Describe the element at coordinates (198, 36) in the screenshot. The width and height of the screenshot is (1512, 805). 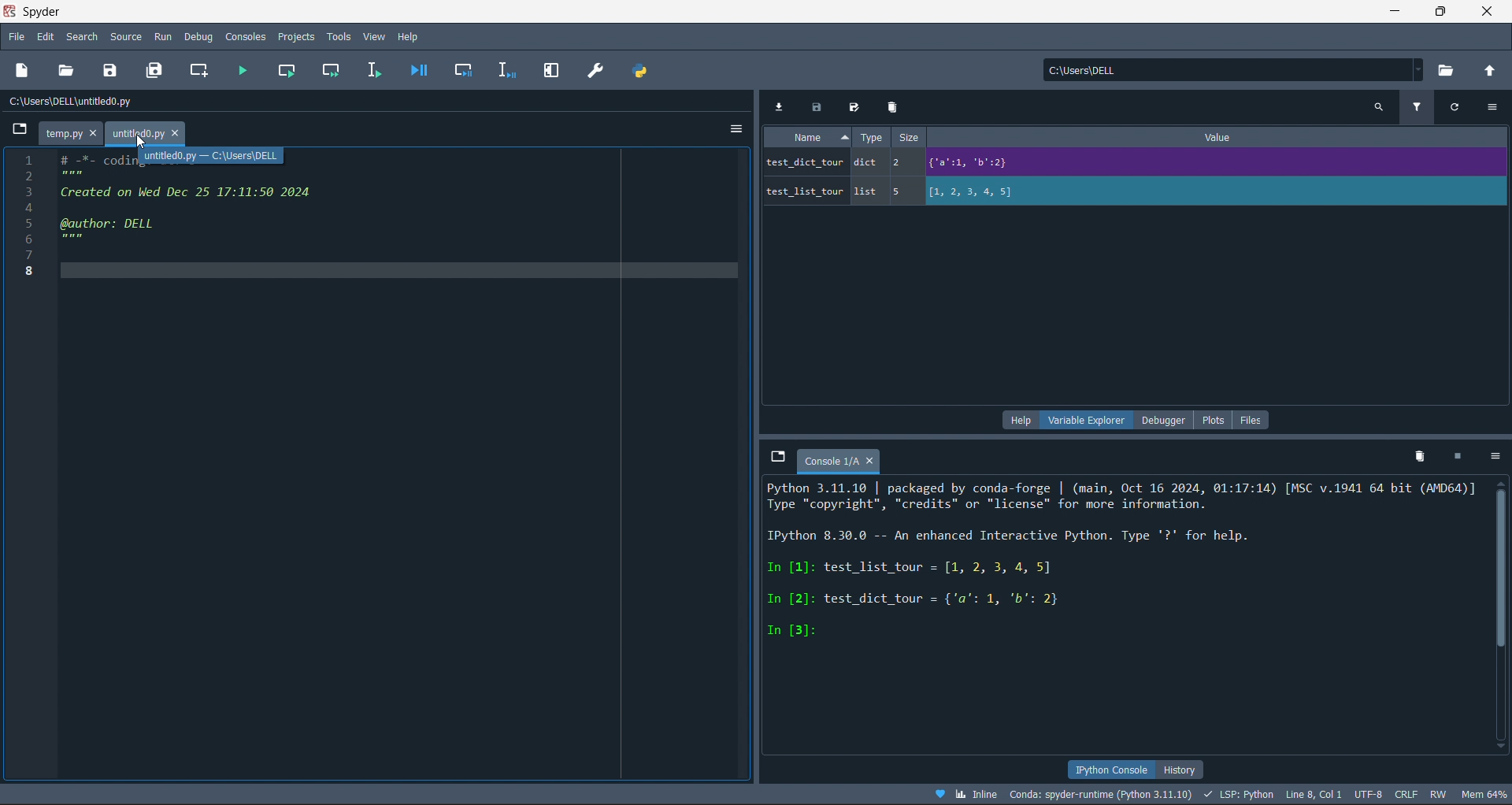
I see `debug` at that location.